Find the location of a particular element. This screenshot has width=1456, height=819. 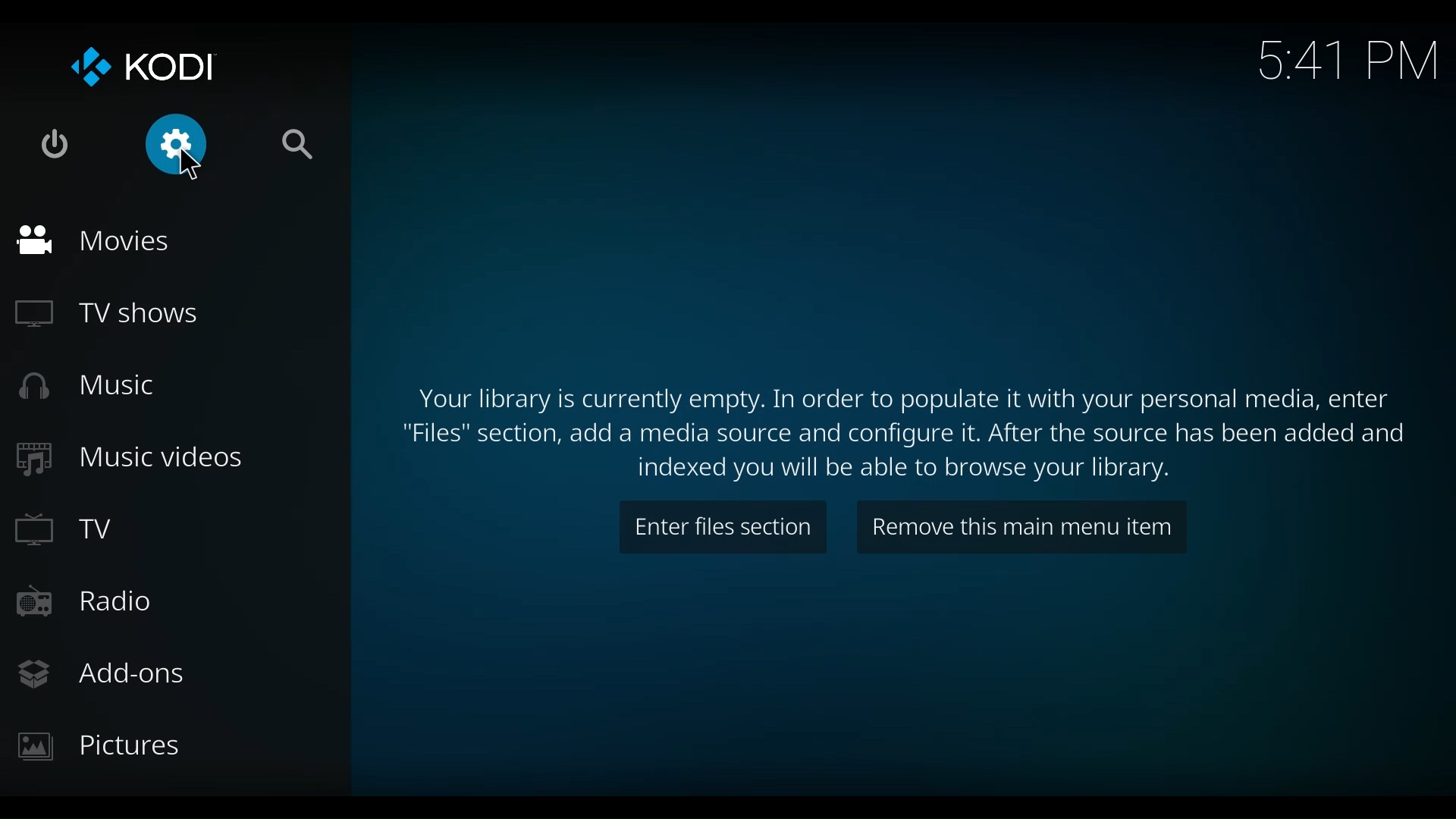

Add, a media source and configure it. After the source has been added and is located at coordinates (902, 436).